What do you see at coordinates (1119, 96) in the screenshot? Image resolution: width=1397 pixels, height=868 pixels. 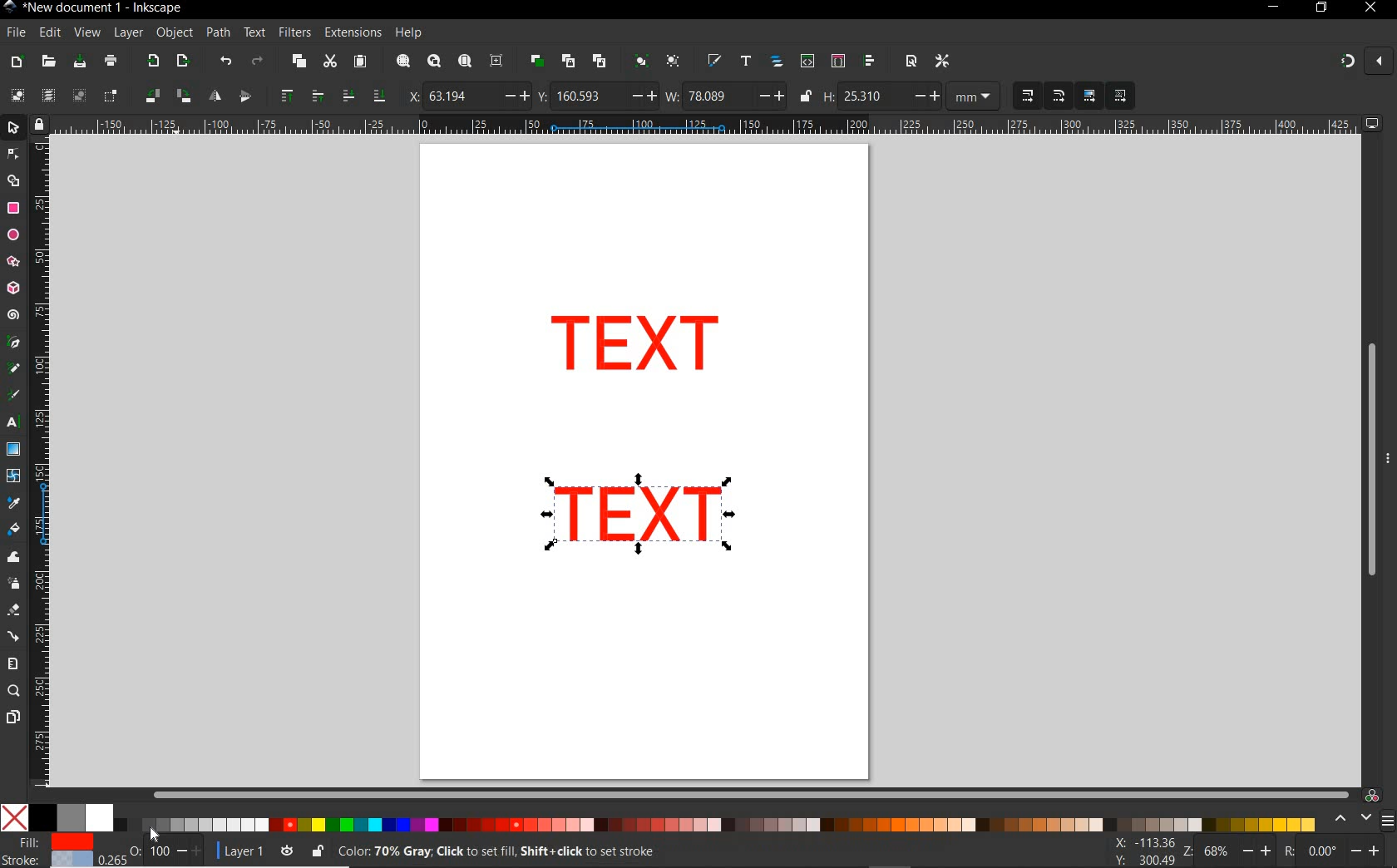 I see `MOVE PATTERNS` at bounding box center [1119, 96].